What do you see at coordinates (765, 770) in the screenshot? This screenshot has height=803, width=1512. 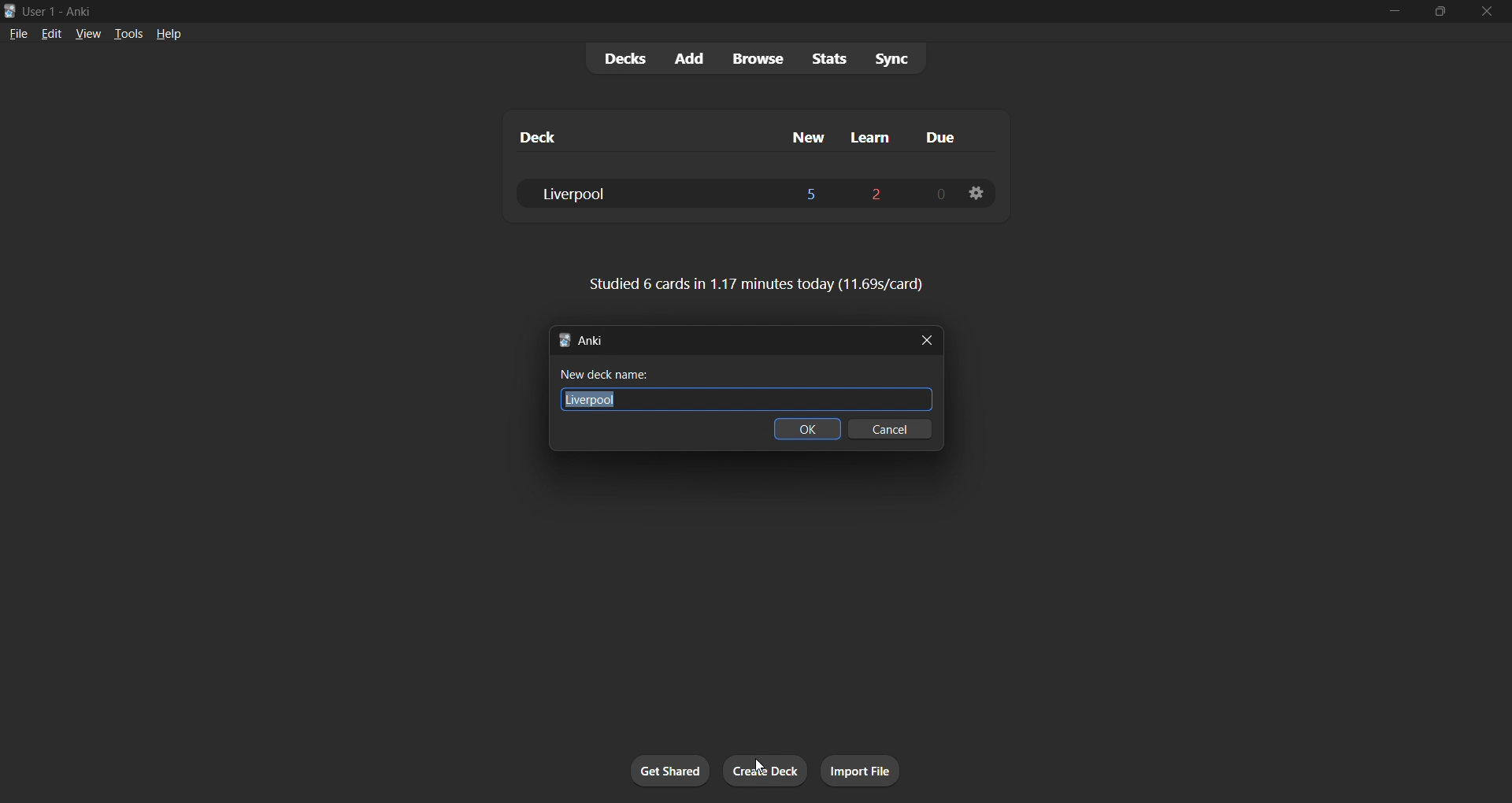 I see `create deck` at bounding box center [765, 770].